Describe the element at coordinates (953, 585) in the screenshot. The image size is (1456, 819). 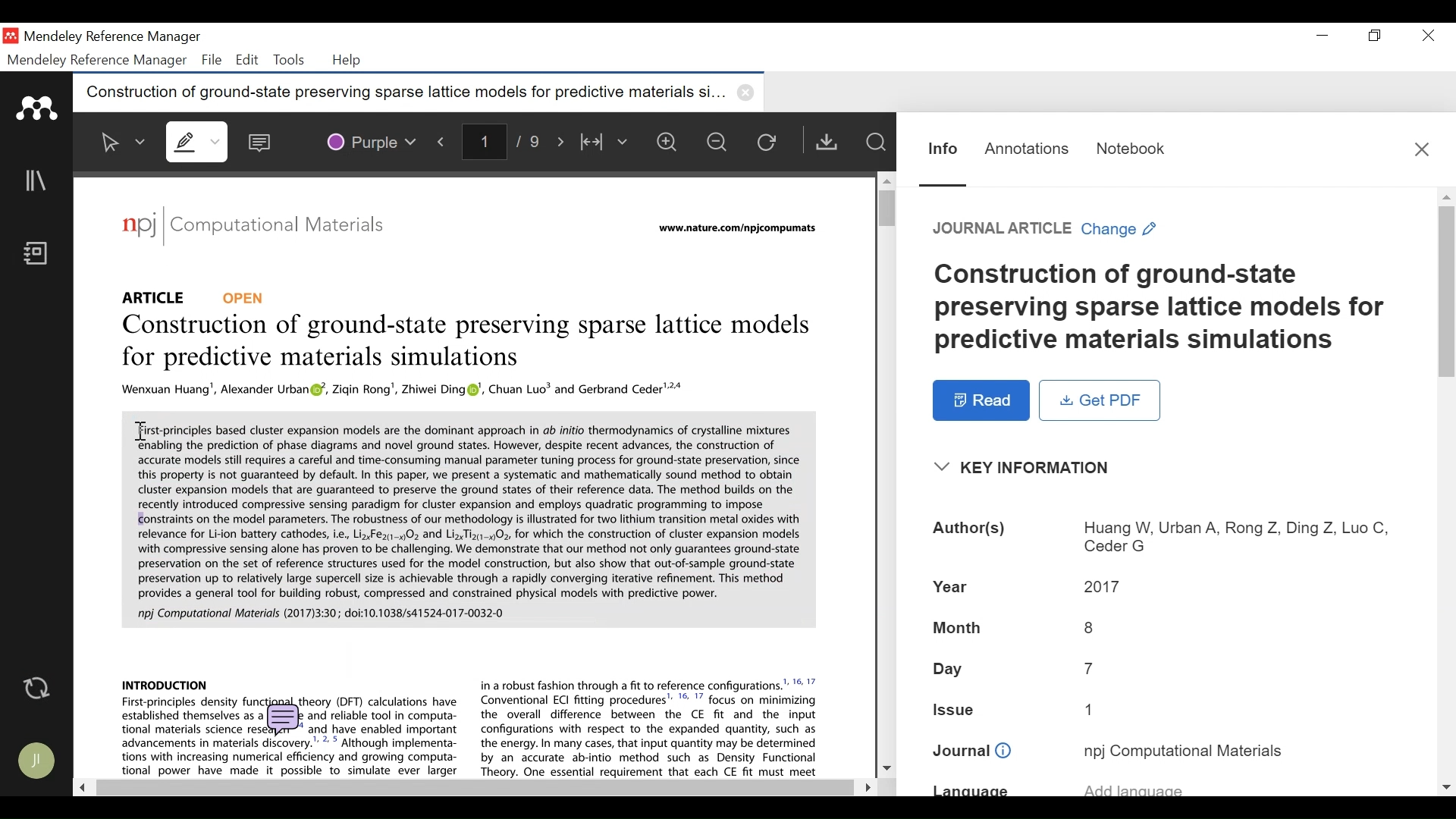
I see `Year` at that location.